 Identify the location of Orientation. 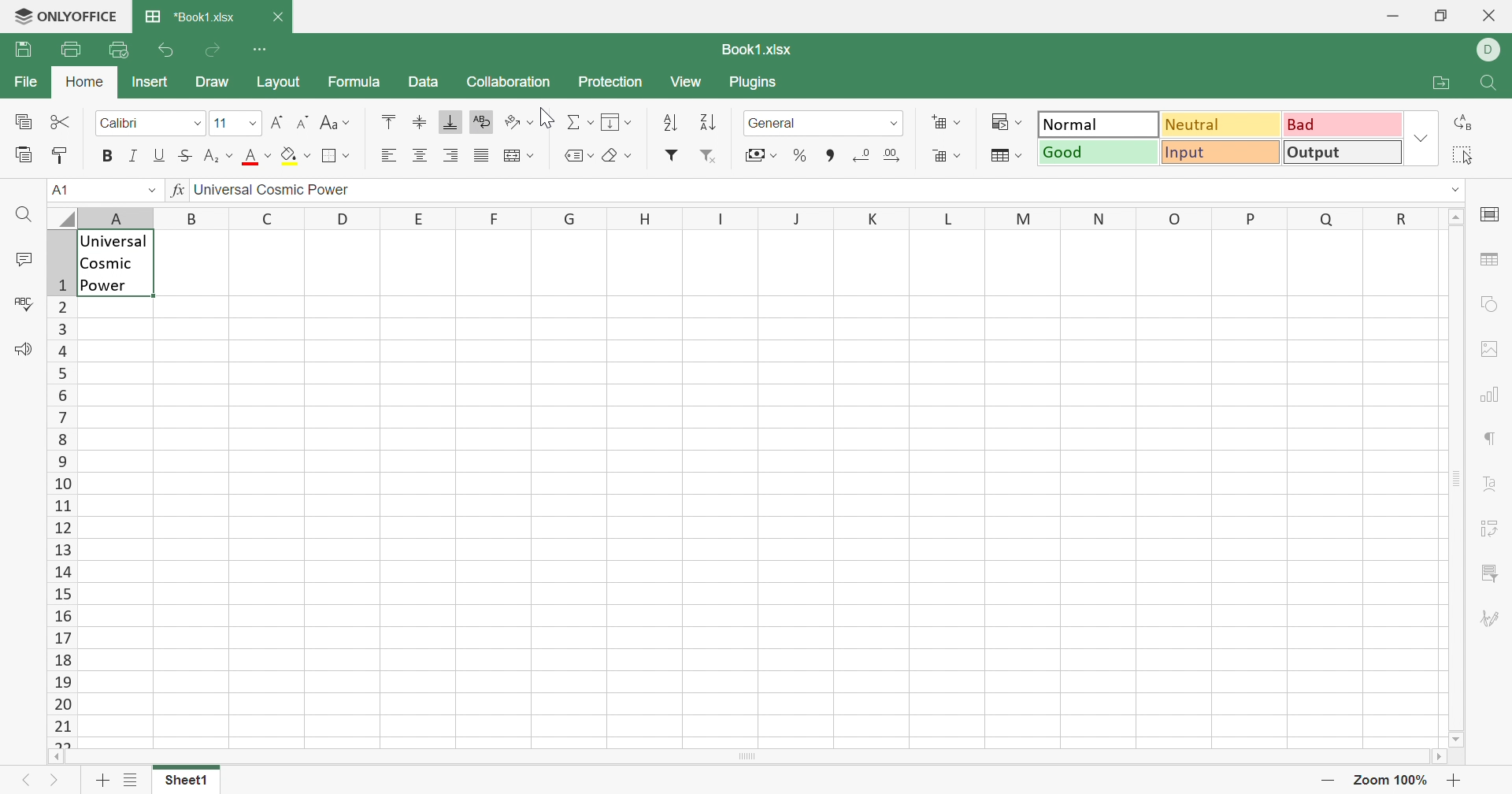
(521, 121).